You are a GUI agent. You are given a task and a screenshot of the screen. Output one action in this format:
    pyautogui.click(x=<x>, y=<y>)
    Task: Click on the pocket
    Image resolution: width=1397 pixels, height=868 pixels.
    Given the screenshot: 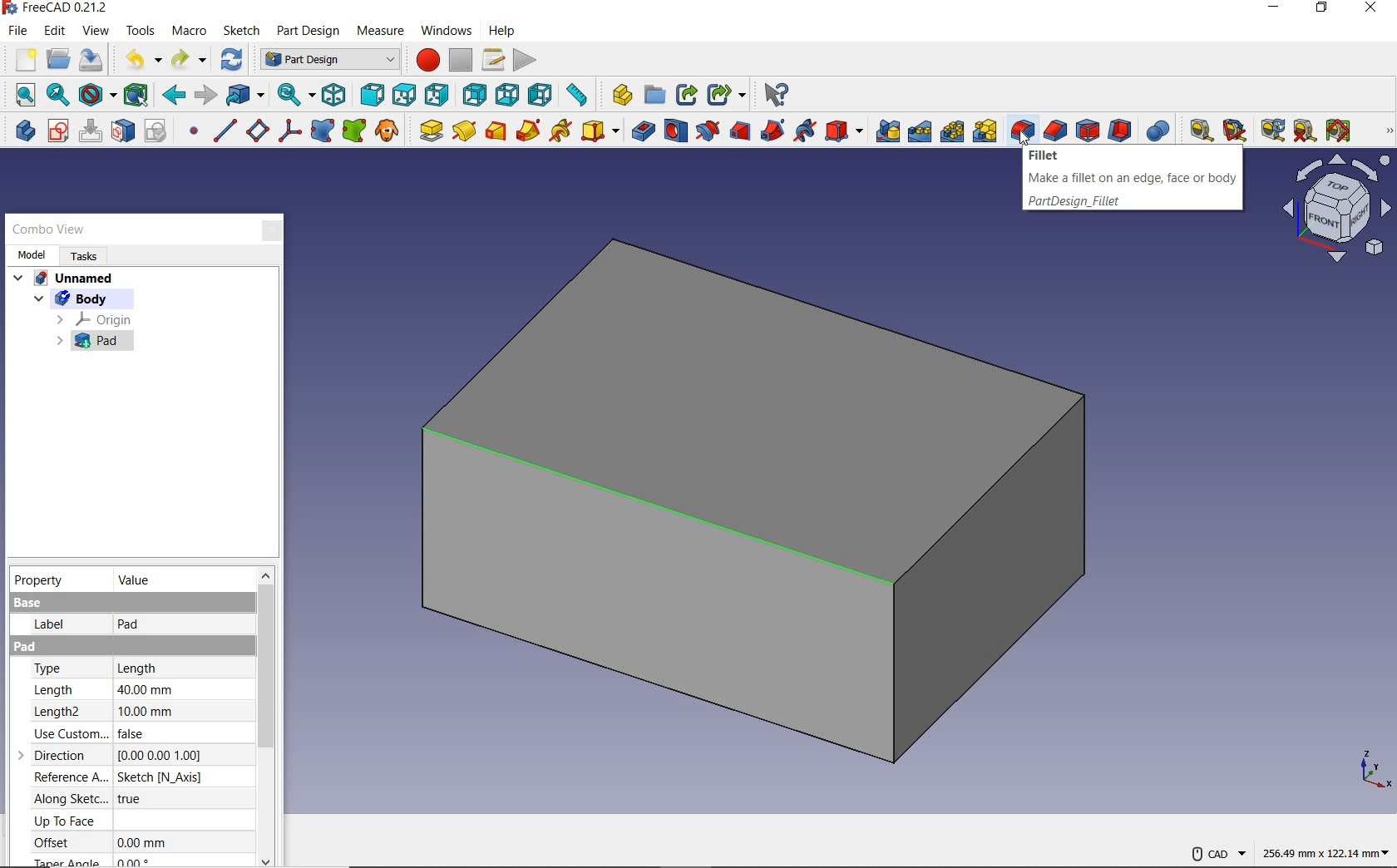 What is the action you would take?
    pyautogui.click(x=642, y=131)
    